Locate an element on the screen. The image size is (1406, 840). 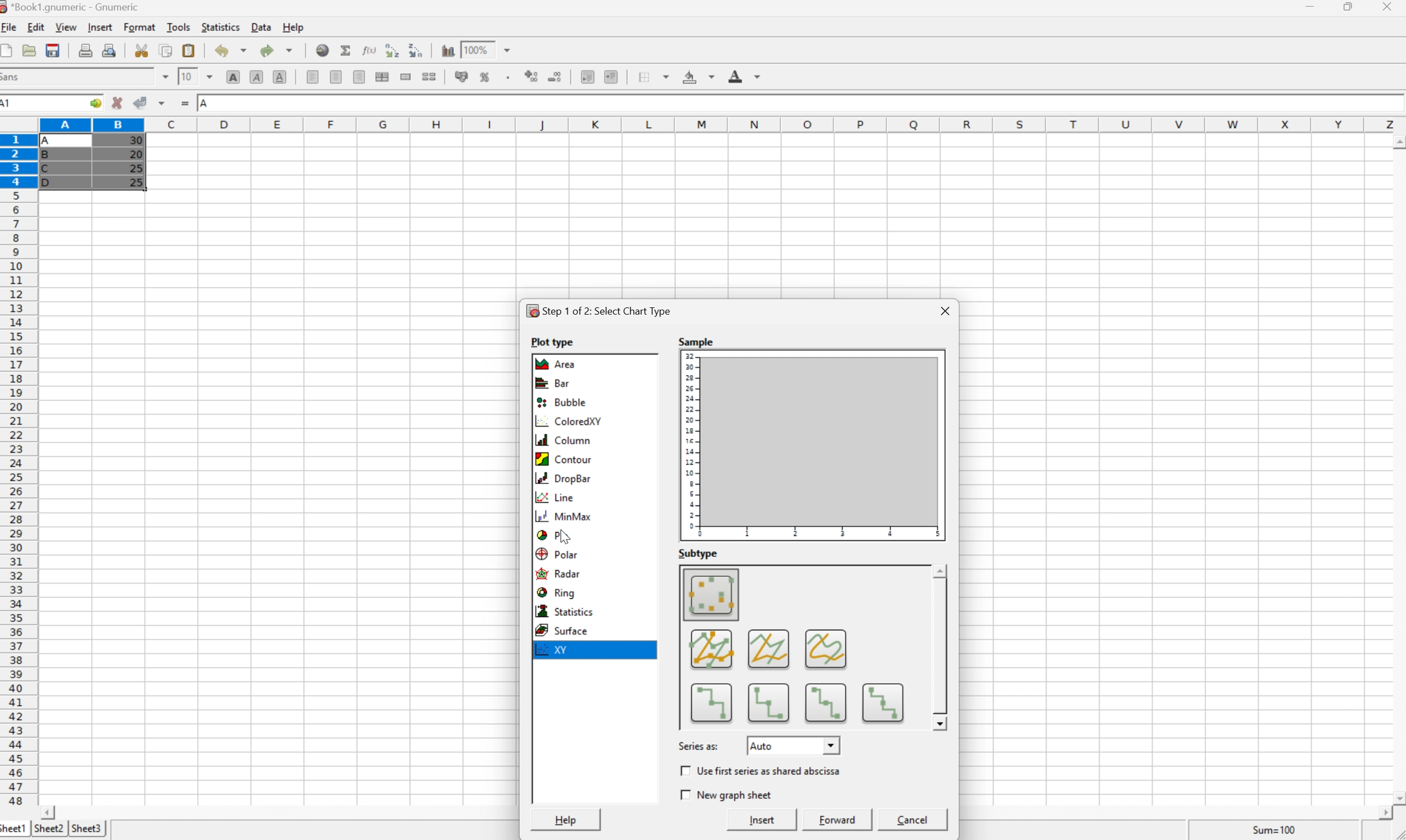
A is located at coordinates (50, 138).